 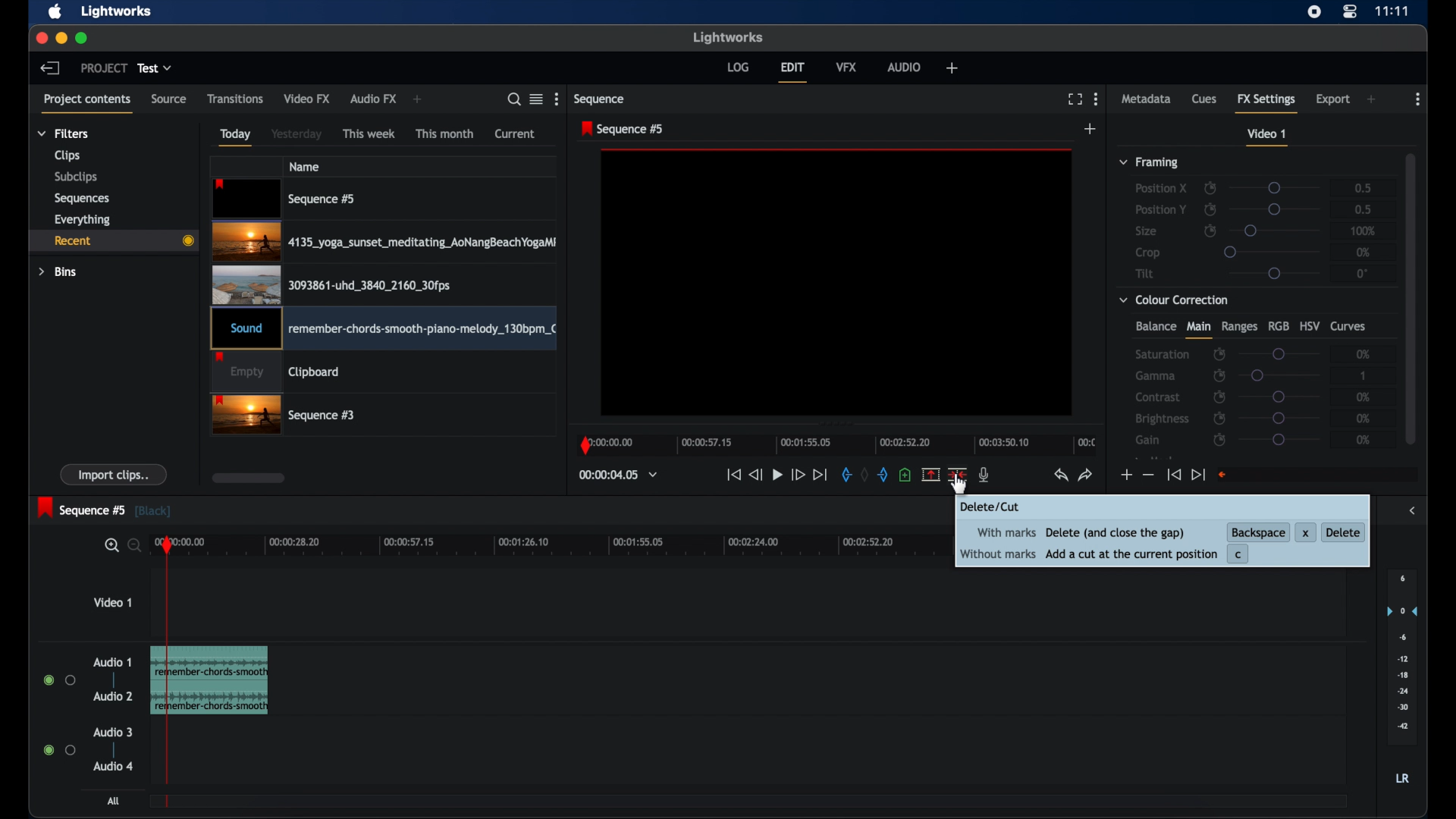 What do you see at coordinates (1221, 441) in the screenshot?
I see `enable/disable keyframes` at bounding box center [1221, 441].